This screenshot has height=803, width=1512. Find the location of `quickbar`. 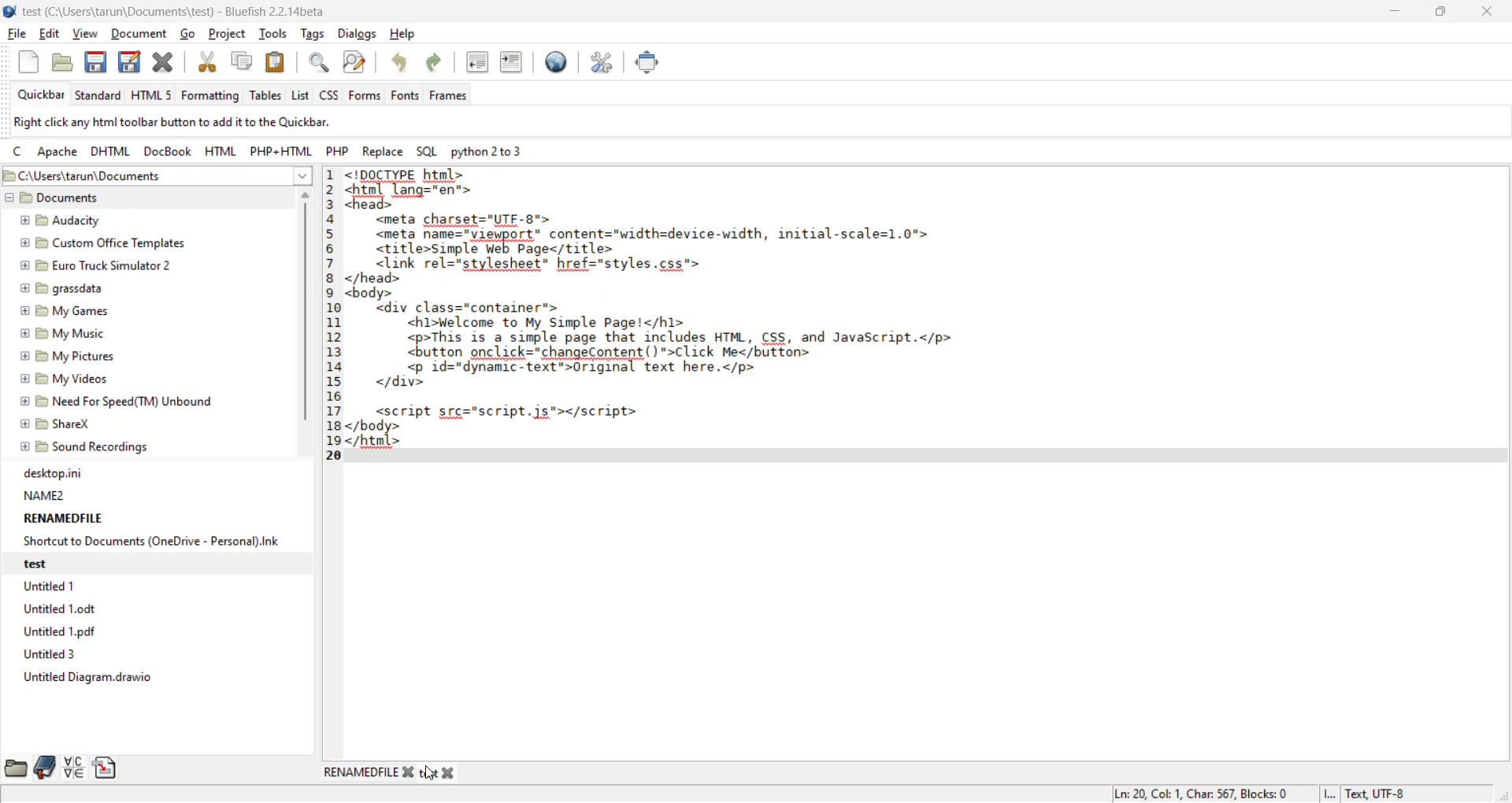

quickbar is located at coordinates (38, 95).